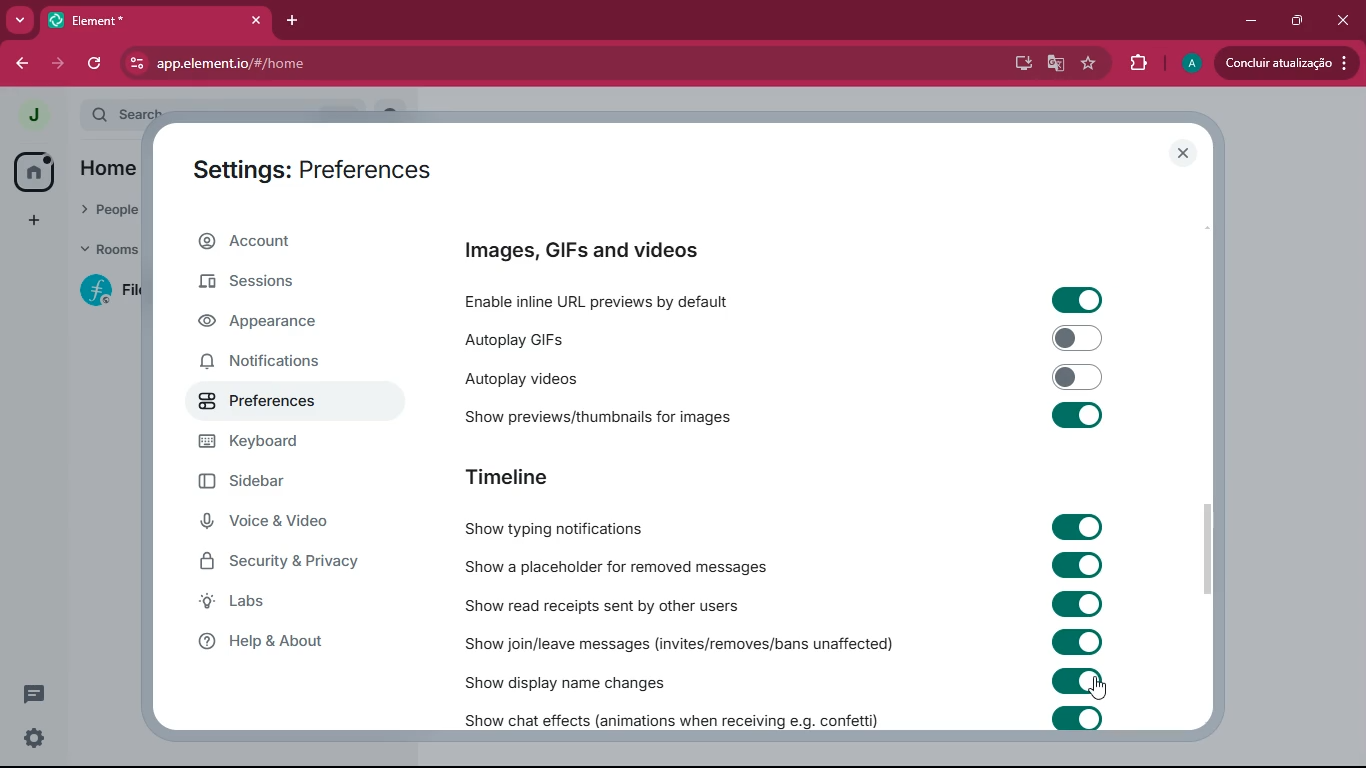 This screenshot has width=1366, height=768. What do you see at coordinates (355, 65) in the screenshot?
I see `app.element.io/#/home` at bounding box center [355, 65].